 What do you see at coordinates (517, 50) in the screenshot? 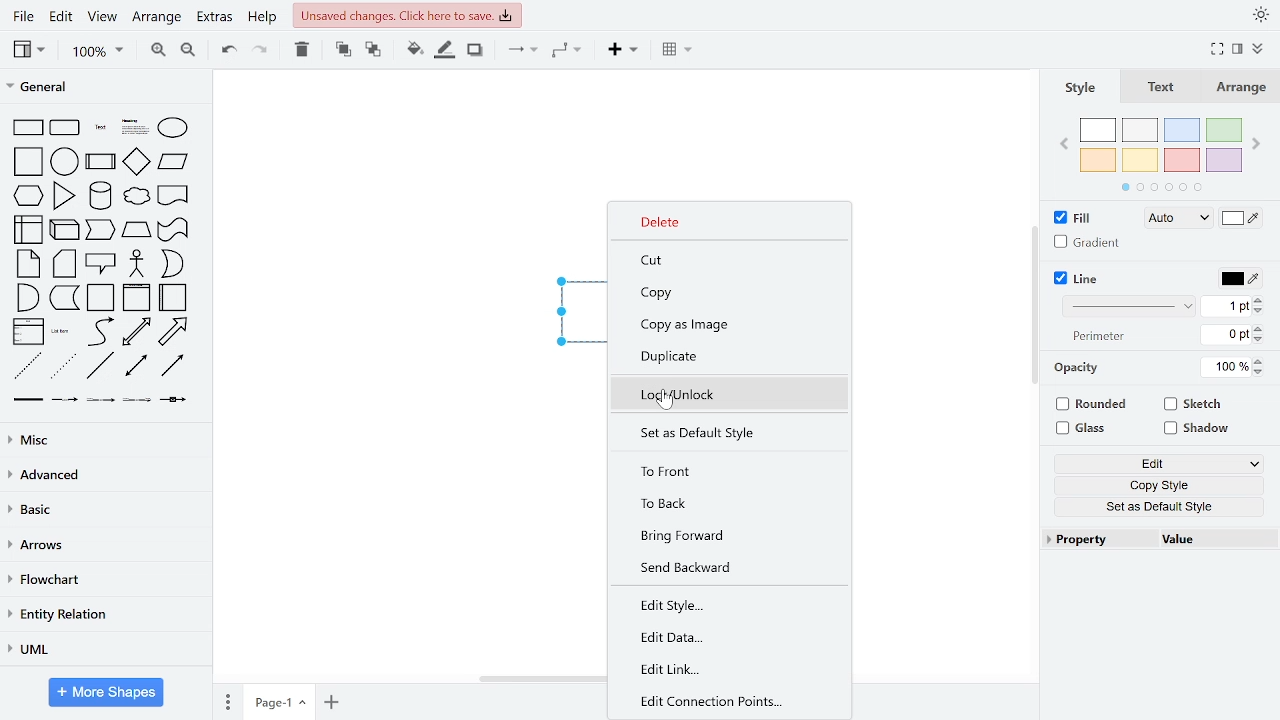
I see `connector` at bounding box center [517, 50].